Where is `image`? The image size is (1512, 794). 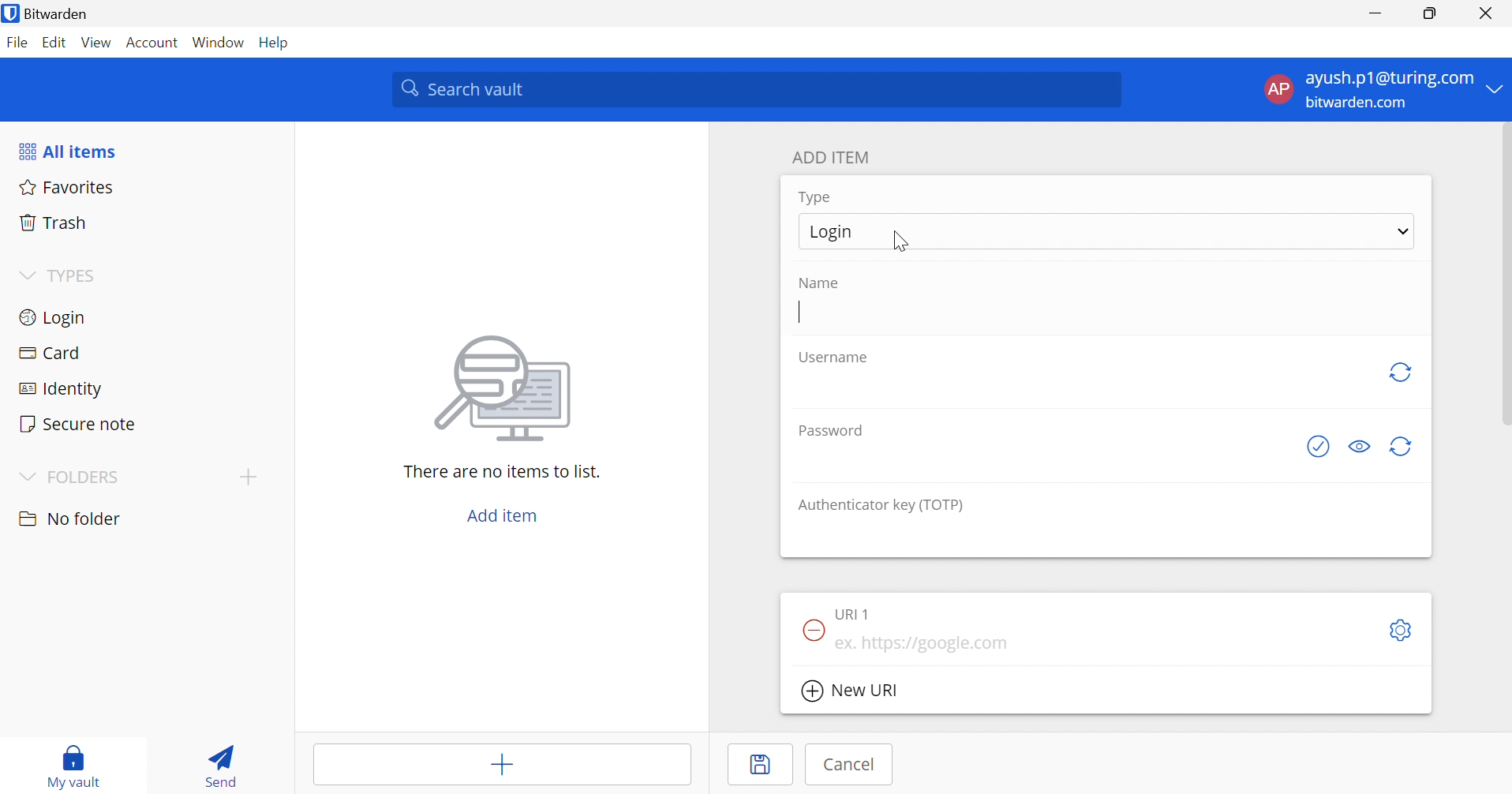 image is located at coordinates (508, 388).